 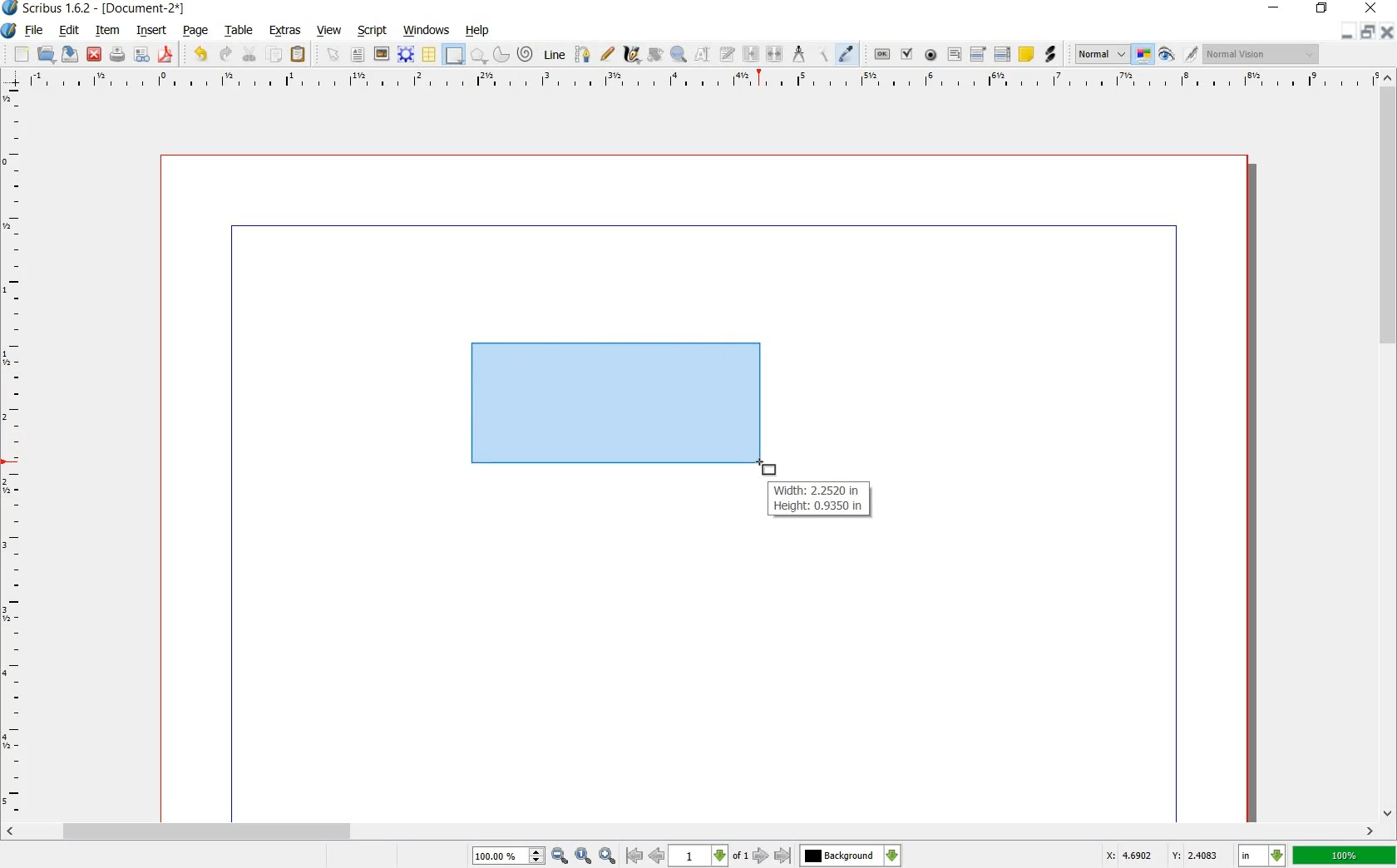 I want to click on OPEN, so click(x=47, y=55).